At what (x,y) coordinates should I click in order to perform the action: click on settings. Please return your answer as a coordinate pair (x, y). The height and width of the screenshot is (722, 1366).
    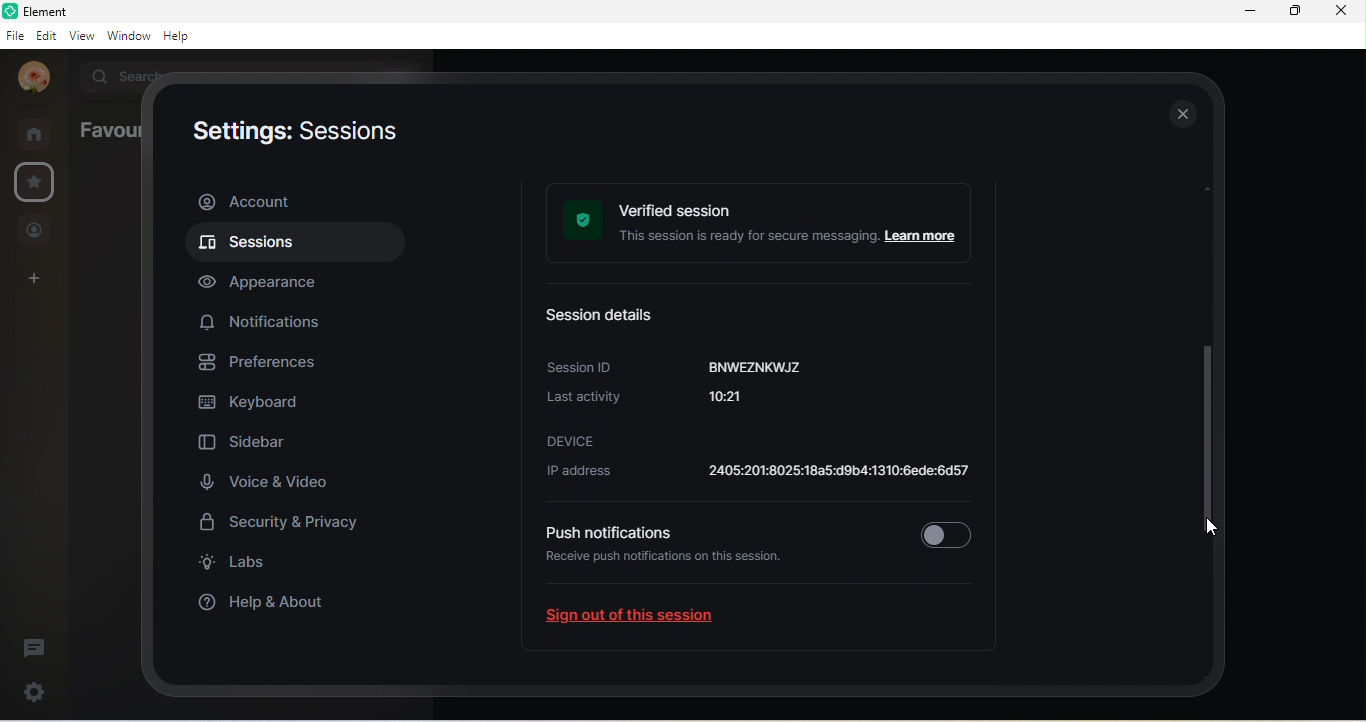
    Looking at the image, I should click on (31, 691).